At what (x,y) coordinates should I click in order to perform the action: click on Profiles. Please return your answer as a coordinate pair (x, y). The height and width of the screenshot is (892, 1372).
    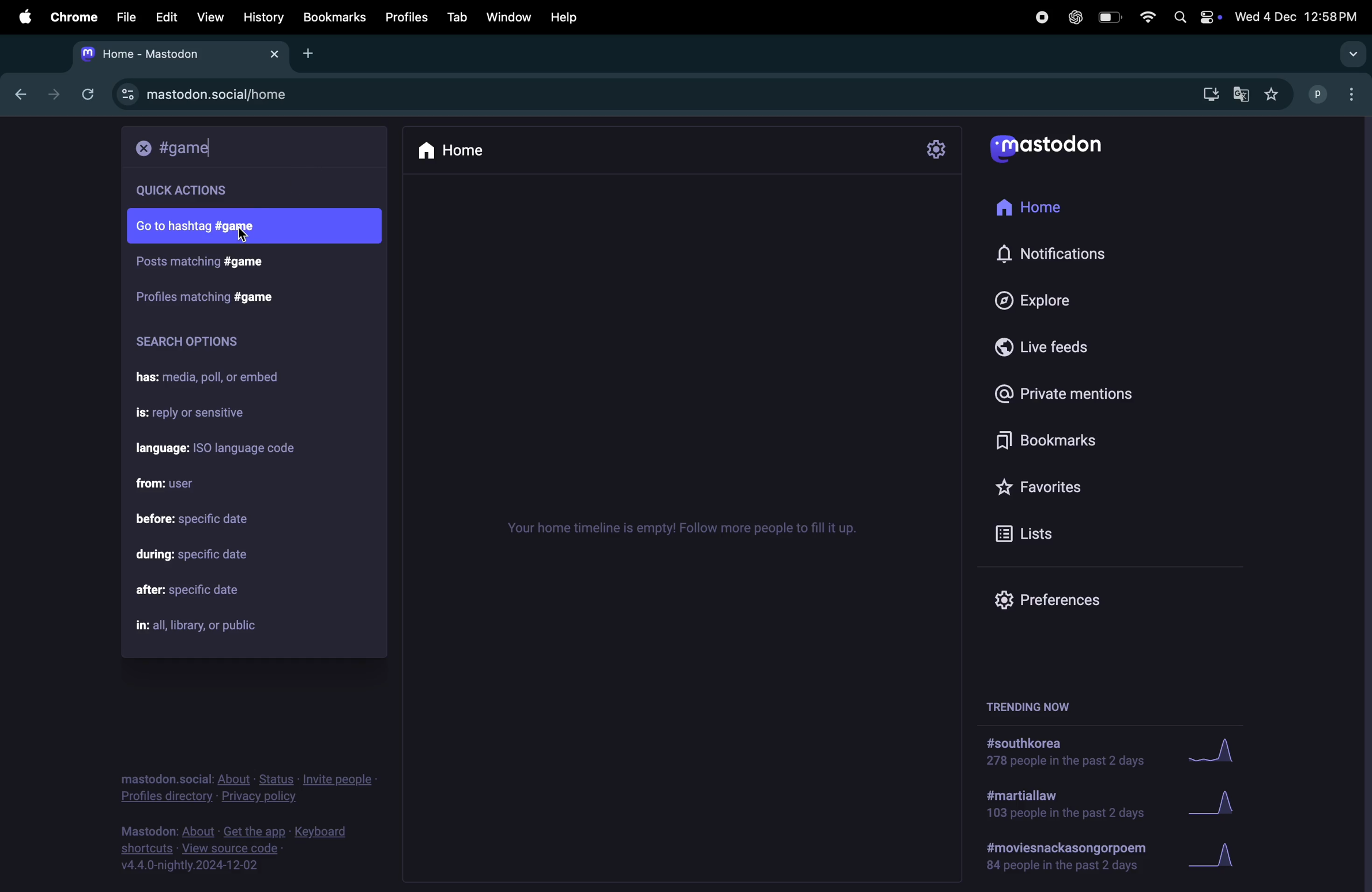
    Looking at the image, I should click on (409, 17).